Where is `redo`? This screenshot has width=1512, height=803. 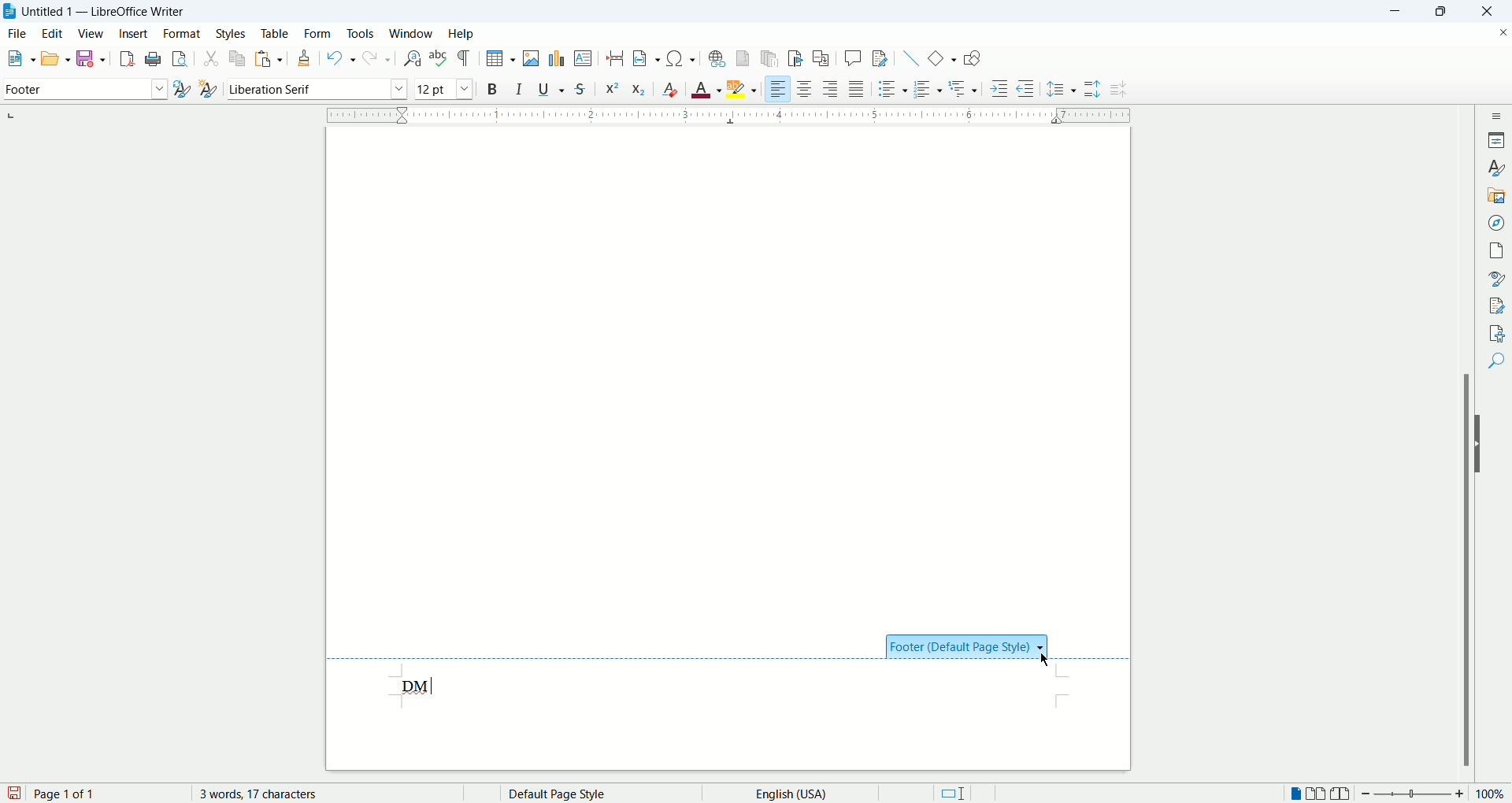 redo is located at coordinates (375, 59).